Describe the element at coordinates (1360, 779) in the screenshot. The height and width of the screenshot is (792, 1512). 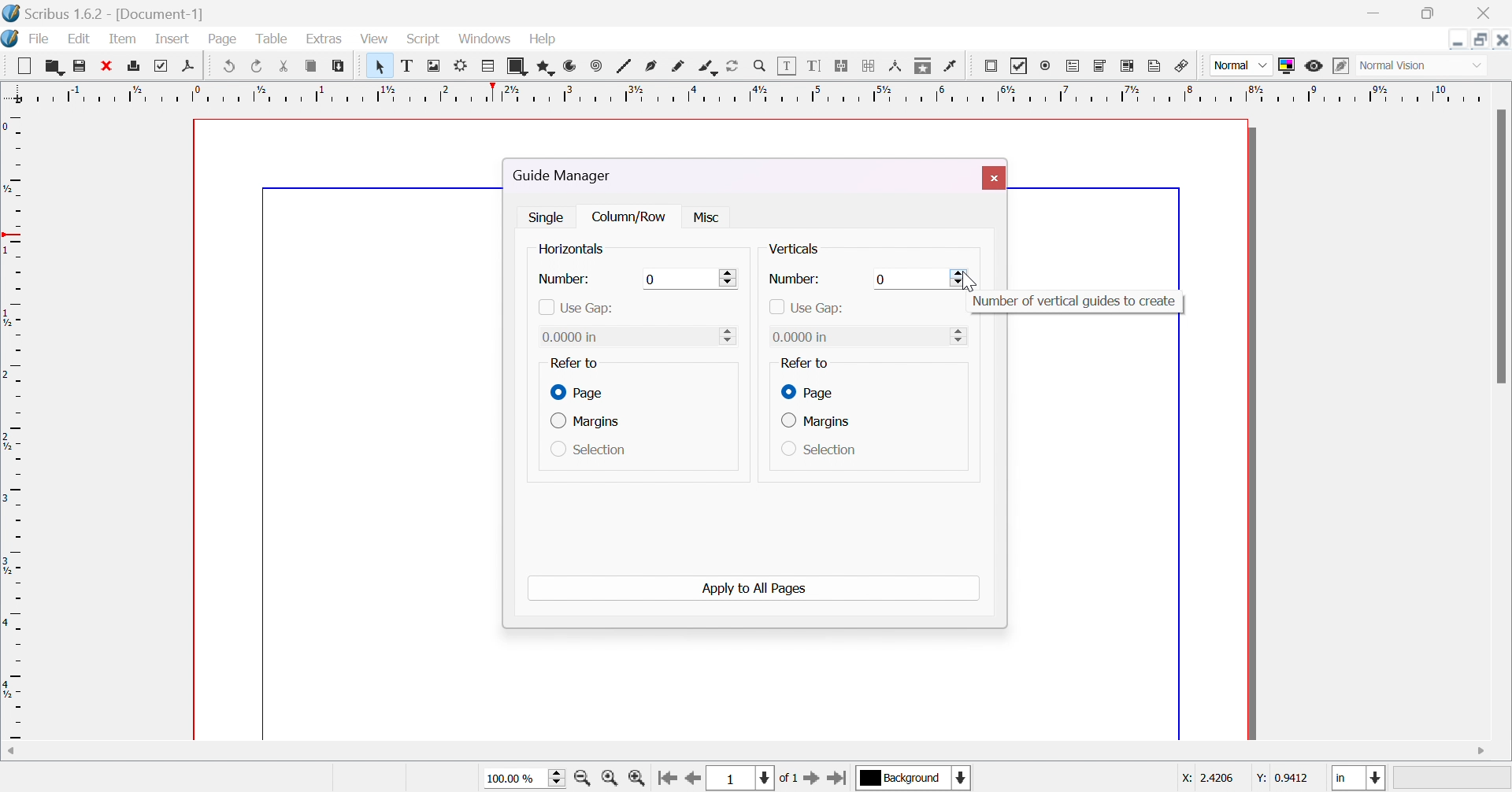
I see `select current unit` at that location.